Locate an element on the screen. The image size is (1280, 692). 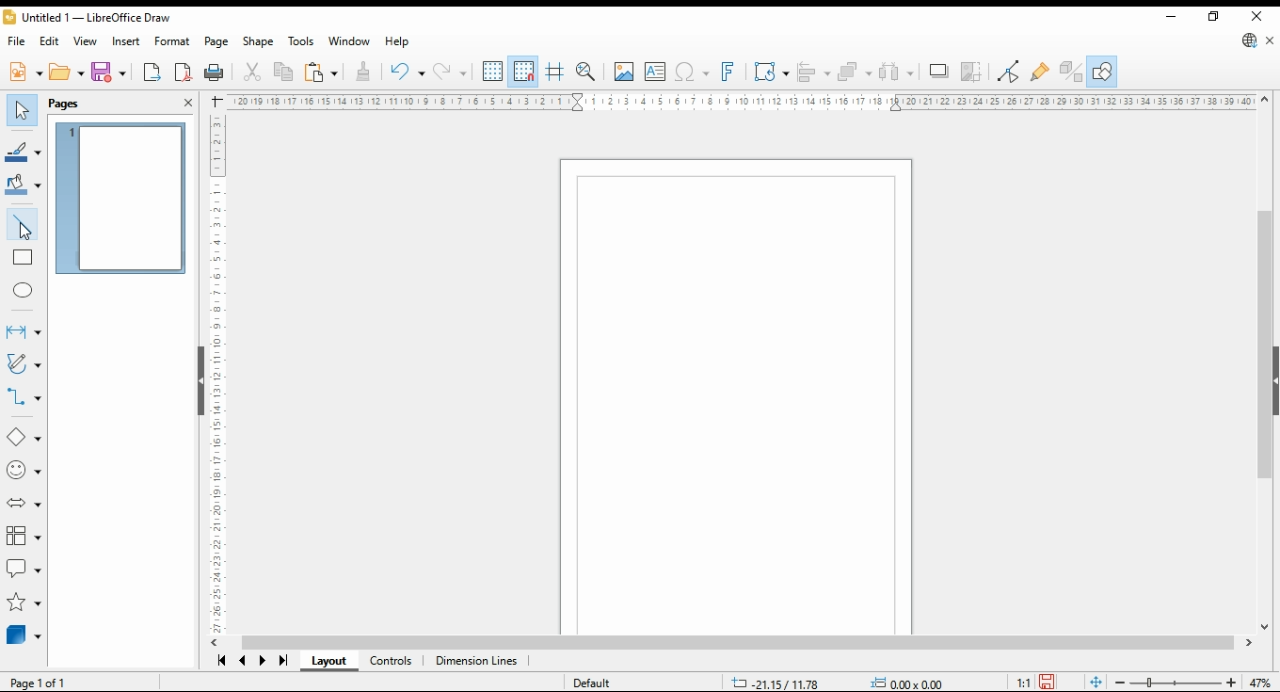
copy is located at coordinates (282, 73).